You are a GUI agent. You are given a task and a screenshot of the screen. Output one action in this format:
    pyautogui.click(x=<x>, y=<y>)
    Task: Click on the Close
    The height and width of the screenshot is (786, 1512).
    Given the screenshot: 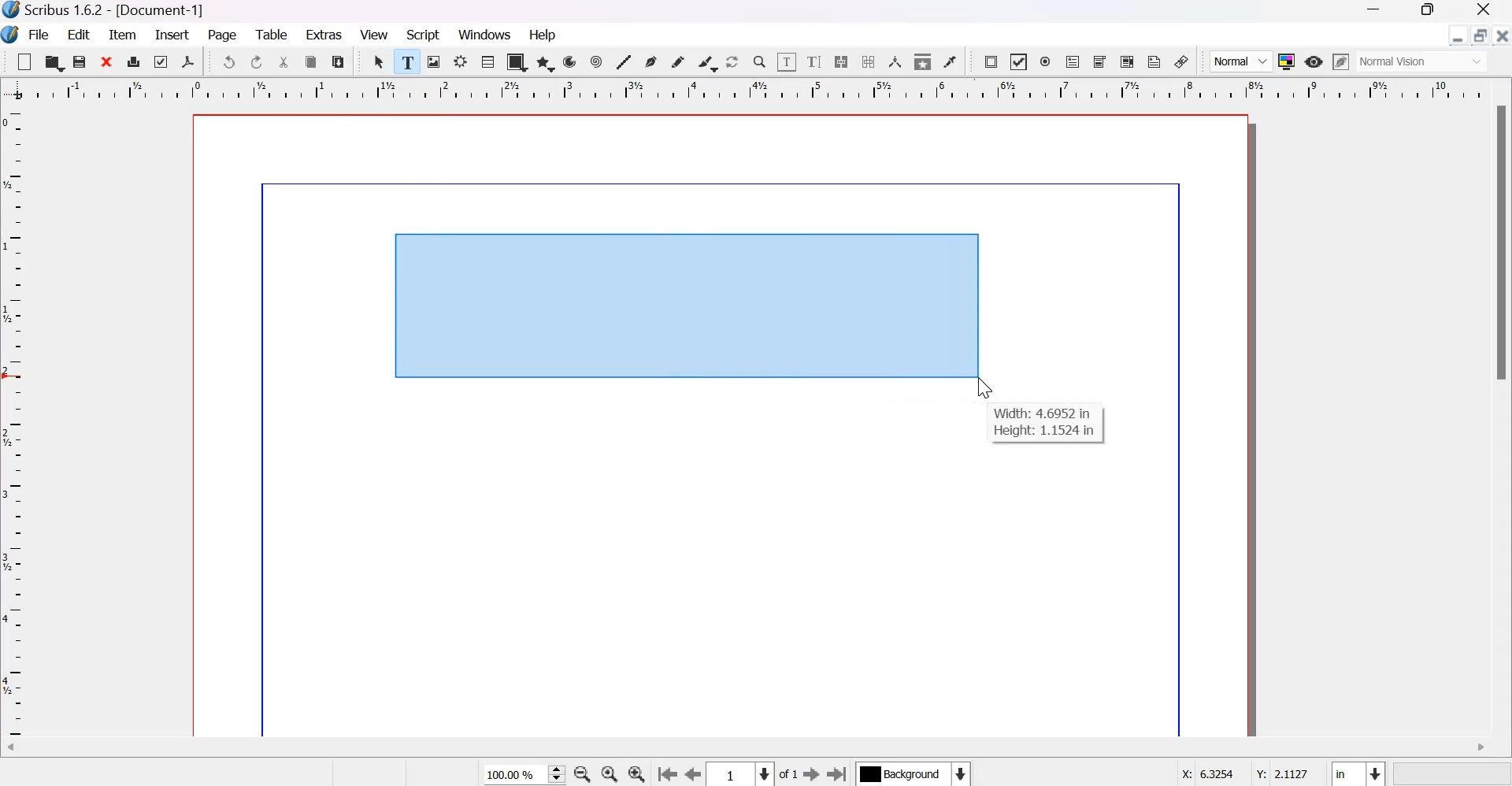 What is the action you would take?
    pyautogui.click(x=1484, y=11)
    